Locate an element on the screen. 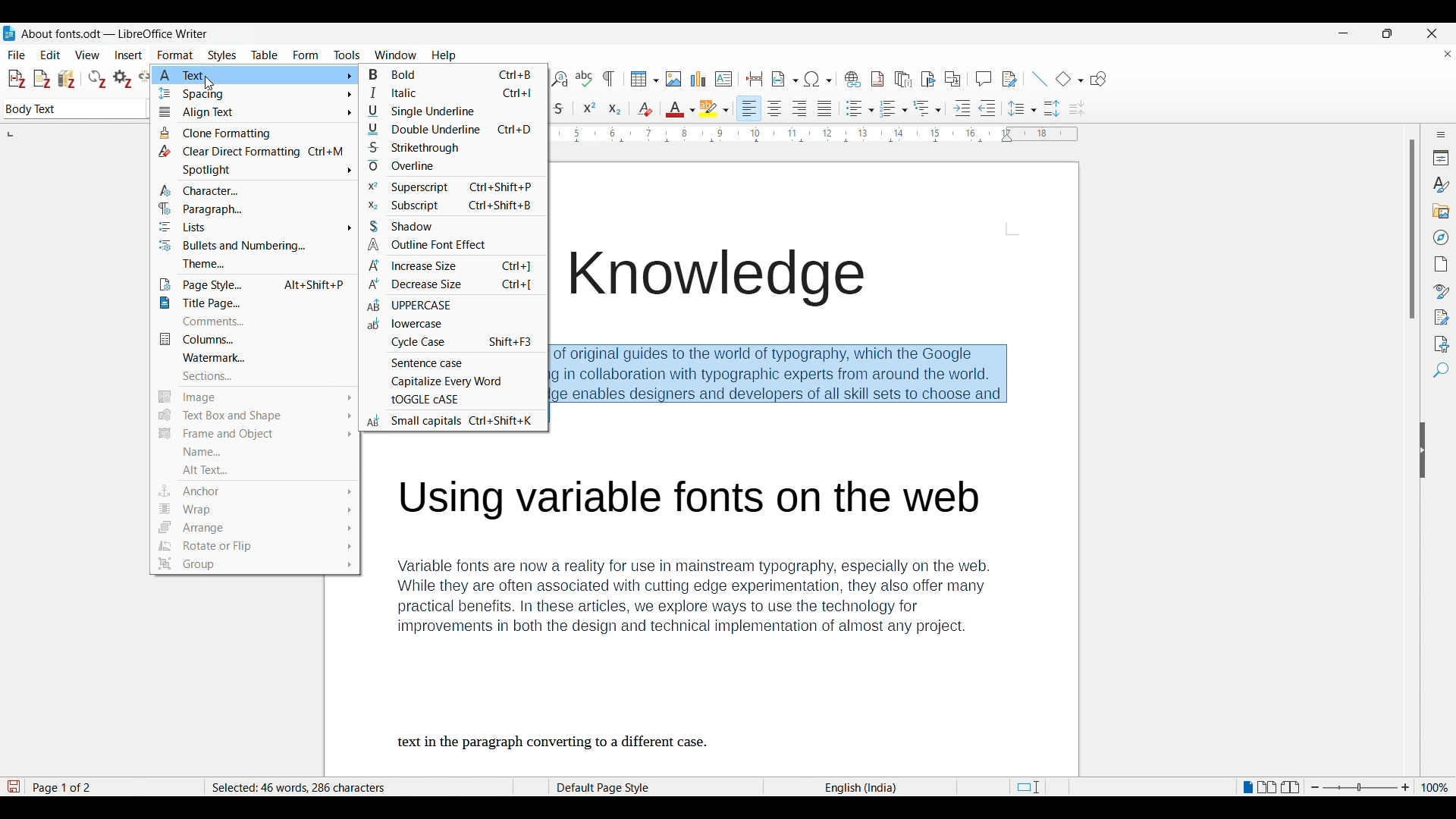 This screenshot has width=1456, height=819. Paragraph alignment options is located at coordinates (786, 108).